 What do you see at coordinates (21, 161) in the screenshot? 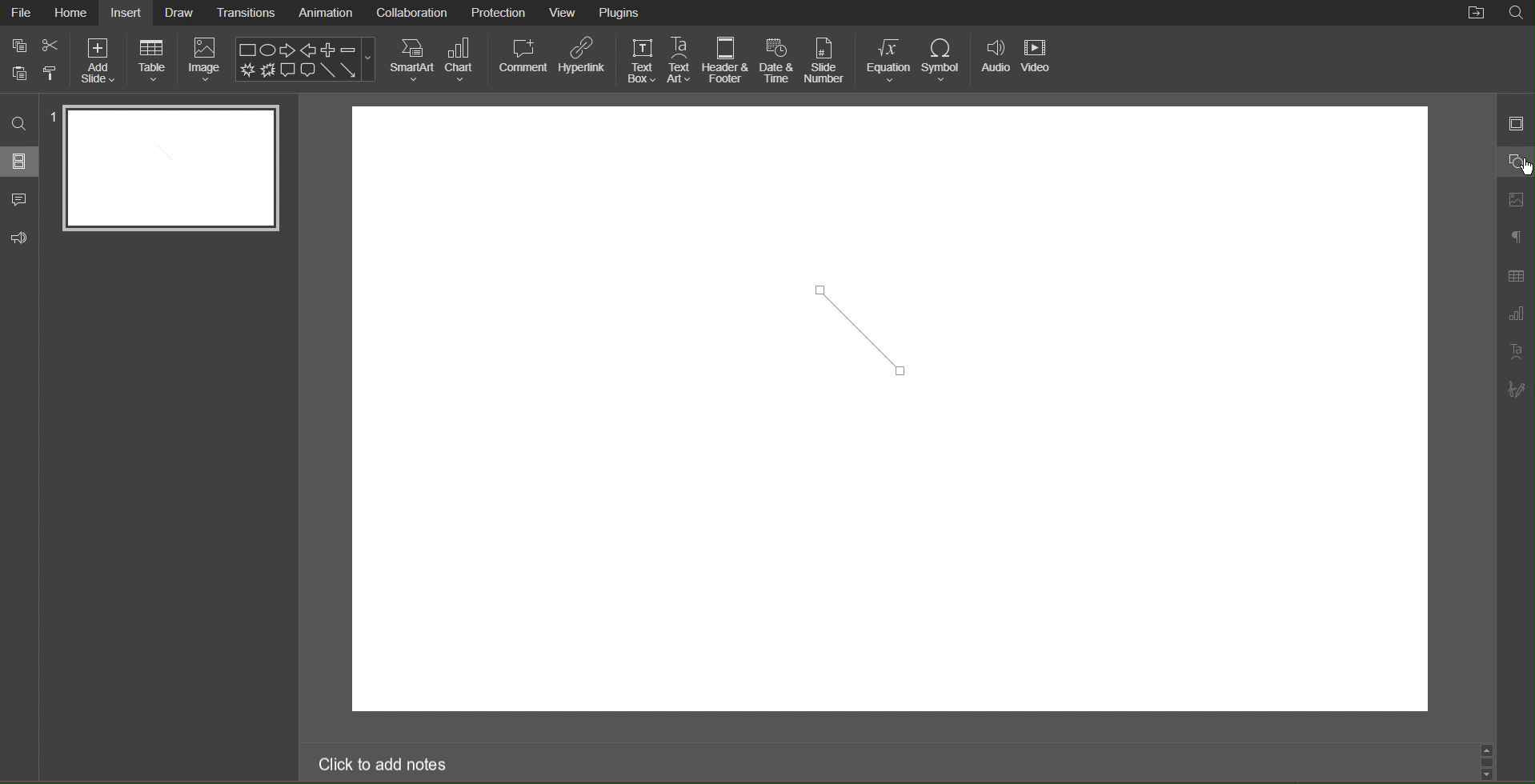
I see `Slides` at bounding box center [21, 161].